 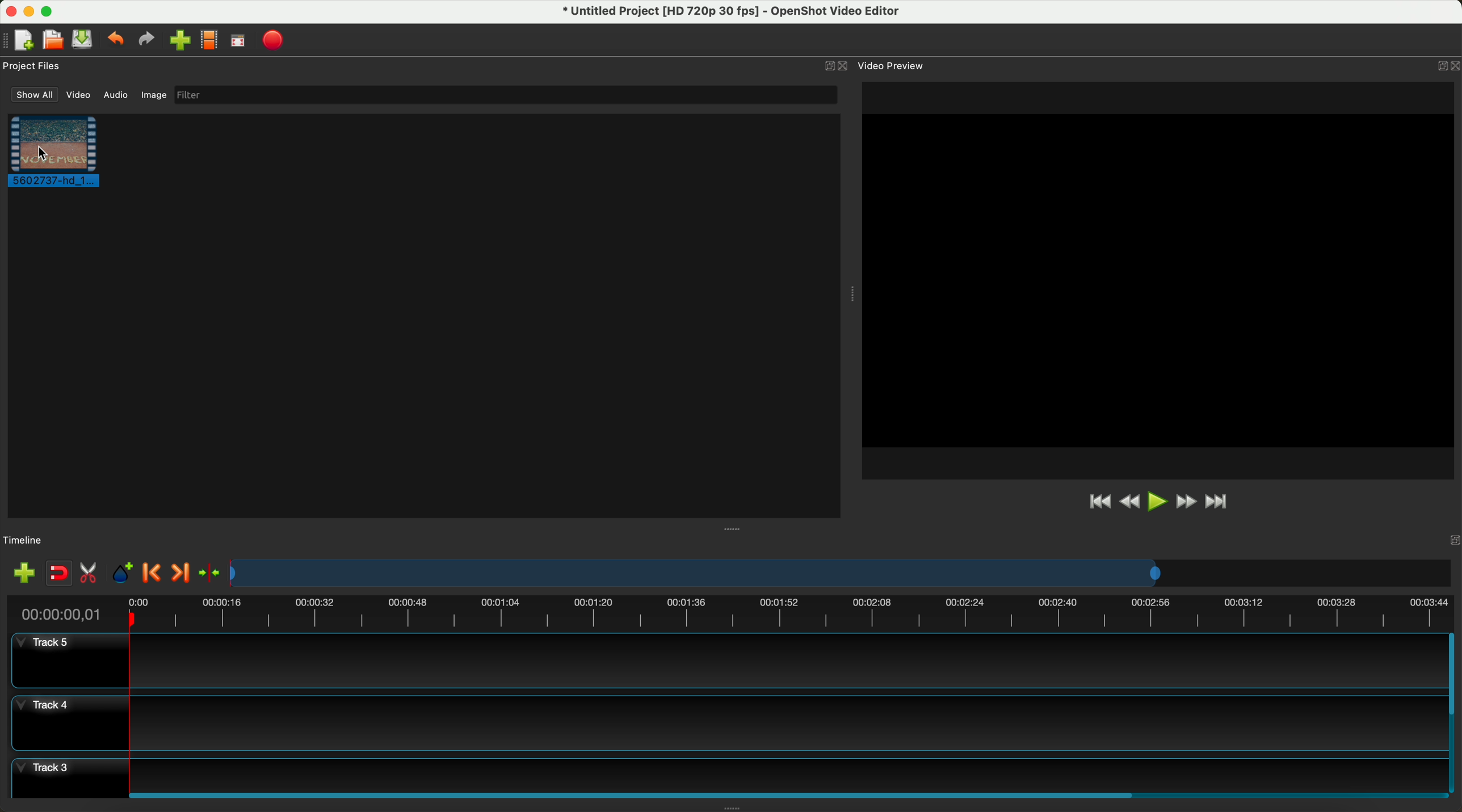 What do you see at coordinates (33, 65) in the screenshot?
I see `project files` at bounding box center [33, 65].